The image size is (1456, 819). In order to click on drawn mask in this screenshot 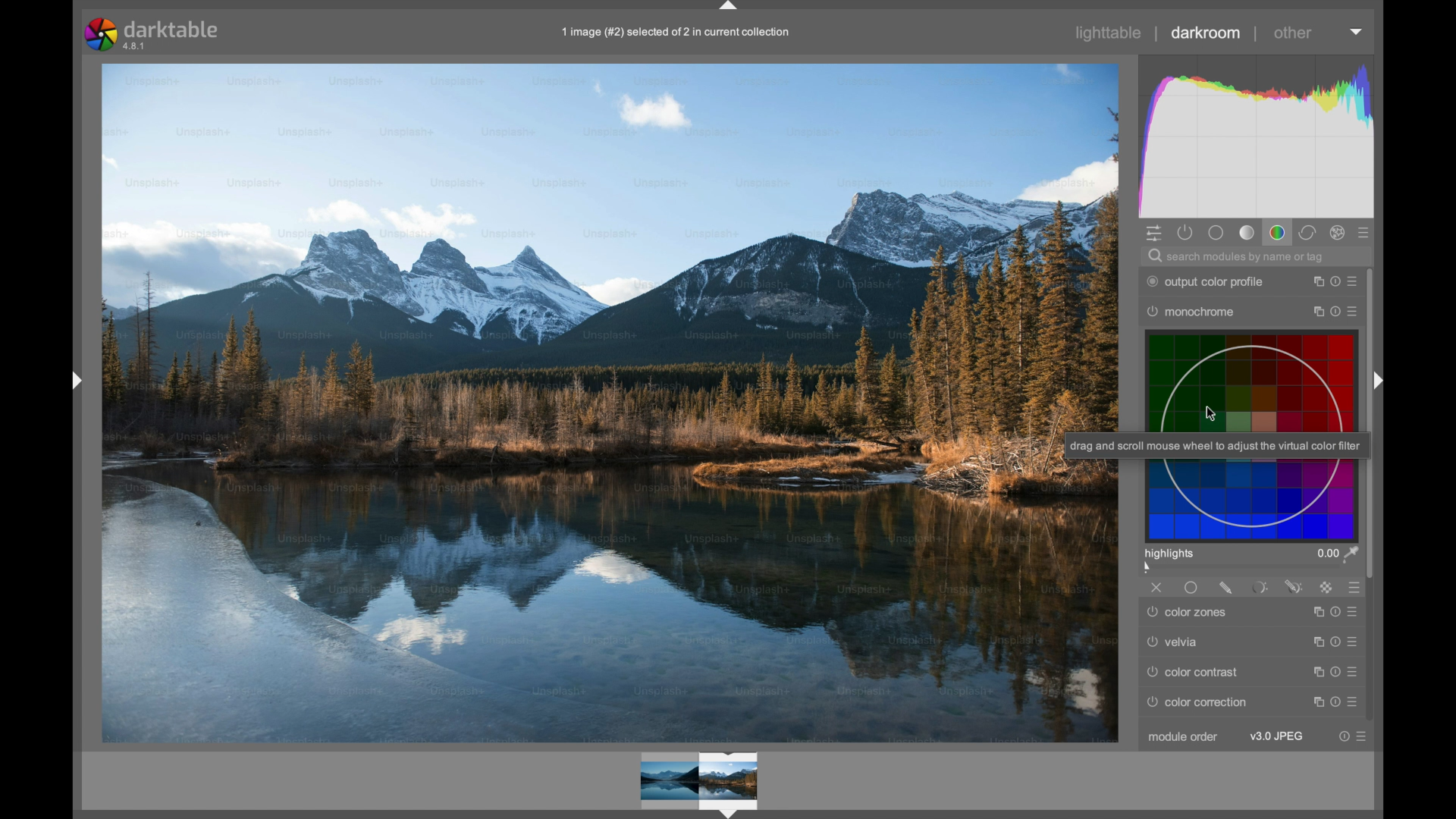, I will do `click(1228, 588)`.